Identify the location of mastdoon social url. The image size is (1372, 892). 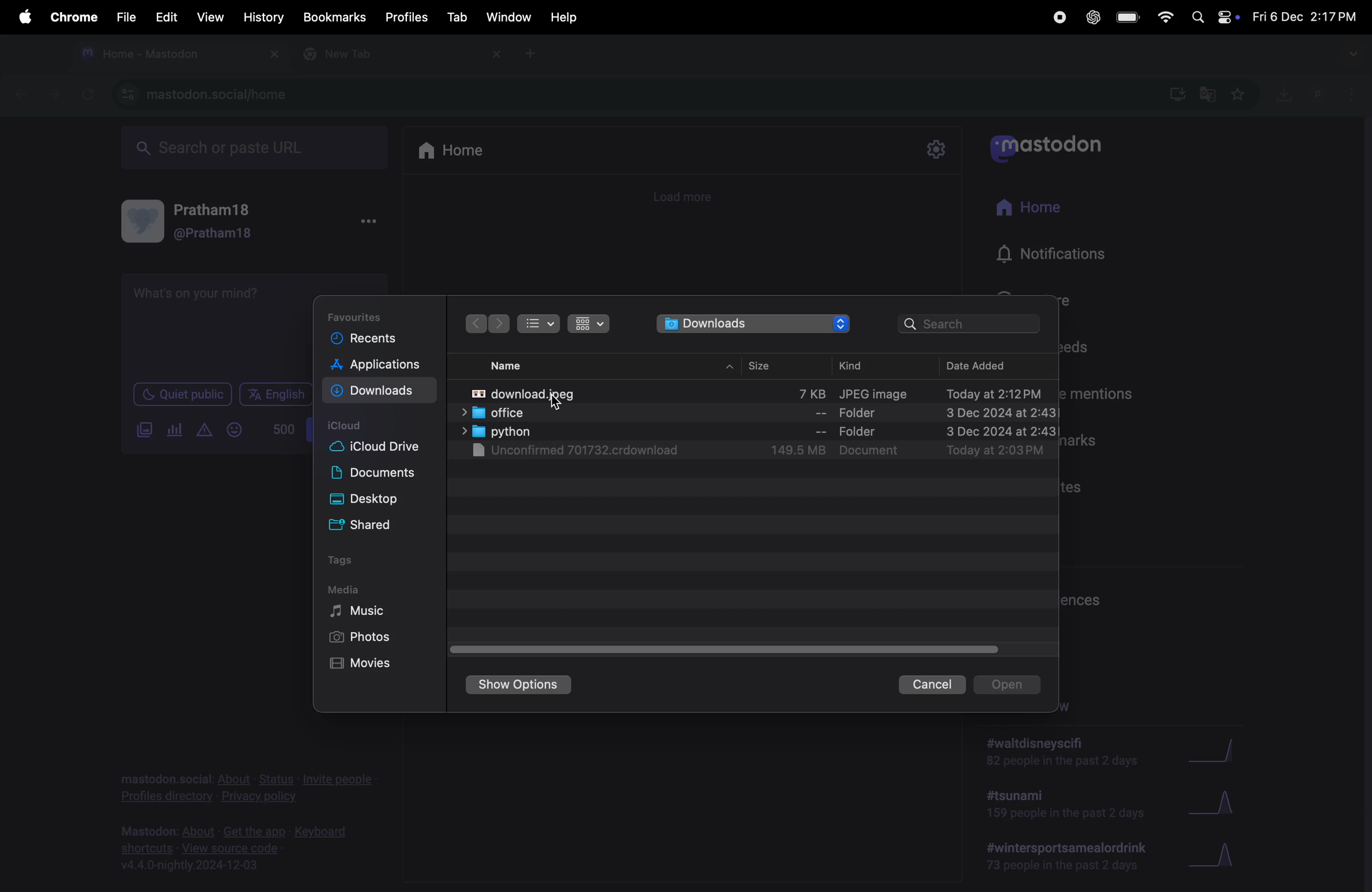
(205, 93).